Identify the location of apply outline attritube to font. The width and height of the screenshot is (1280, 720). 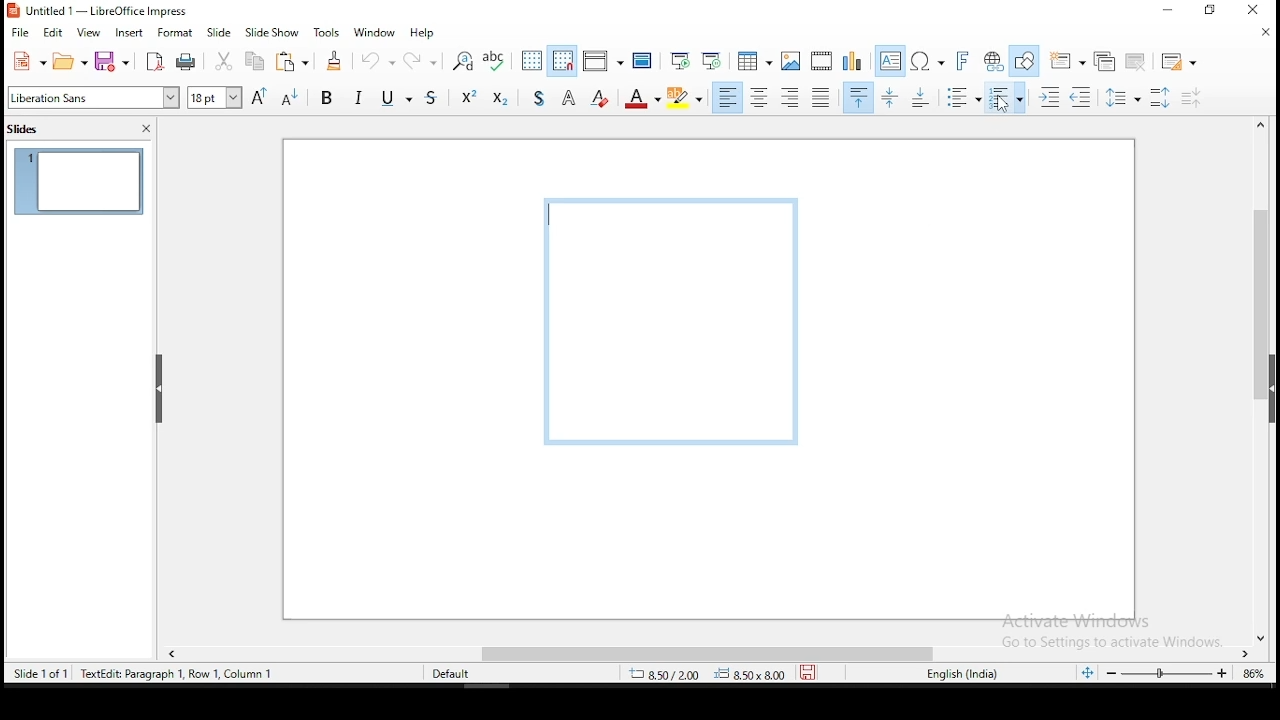
(566, 98).